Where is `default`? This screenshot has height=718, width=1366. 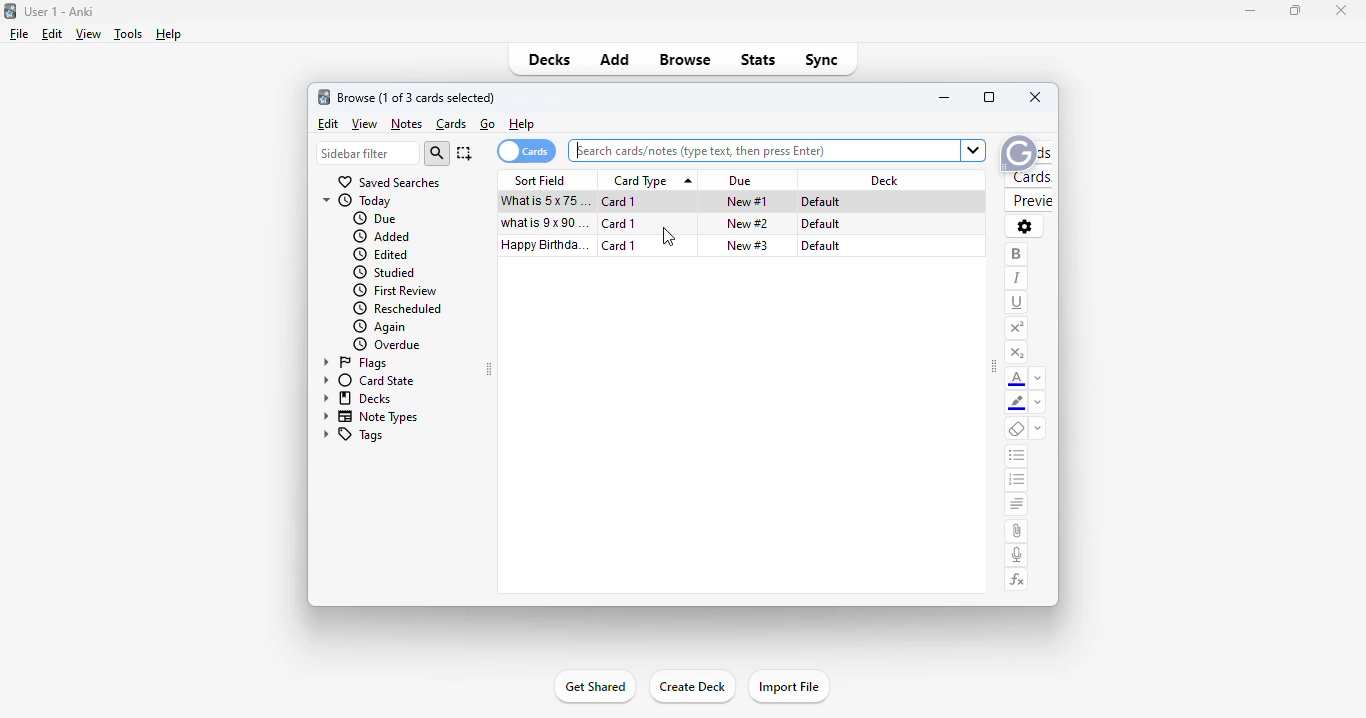 default is located at coordinates (820, 223).